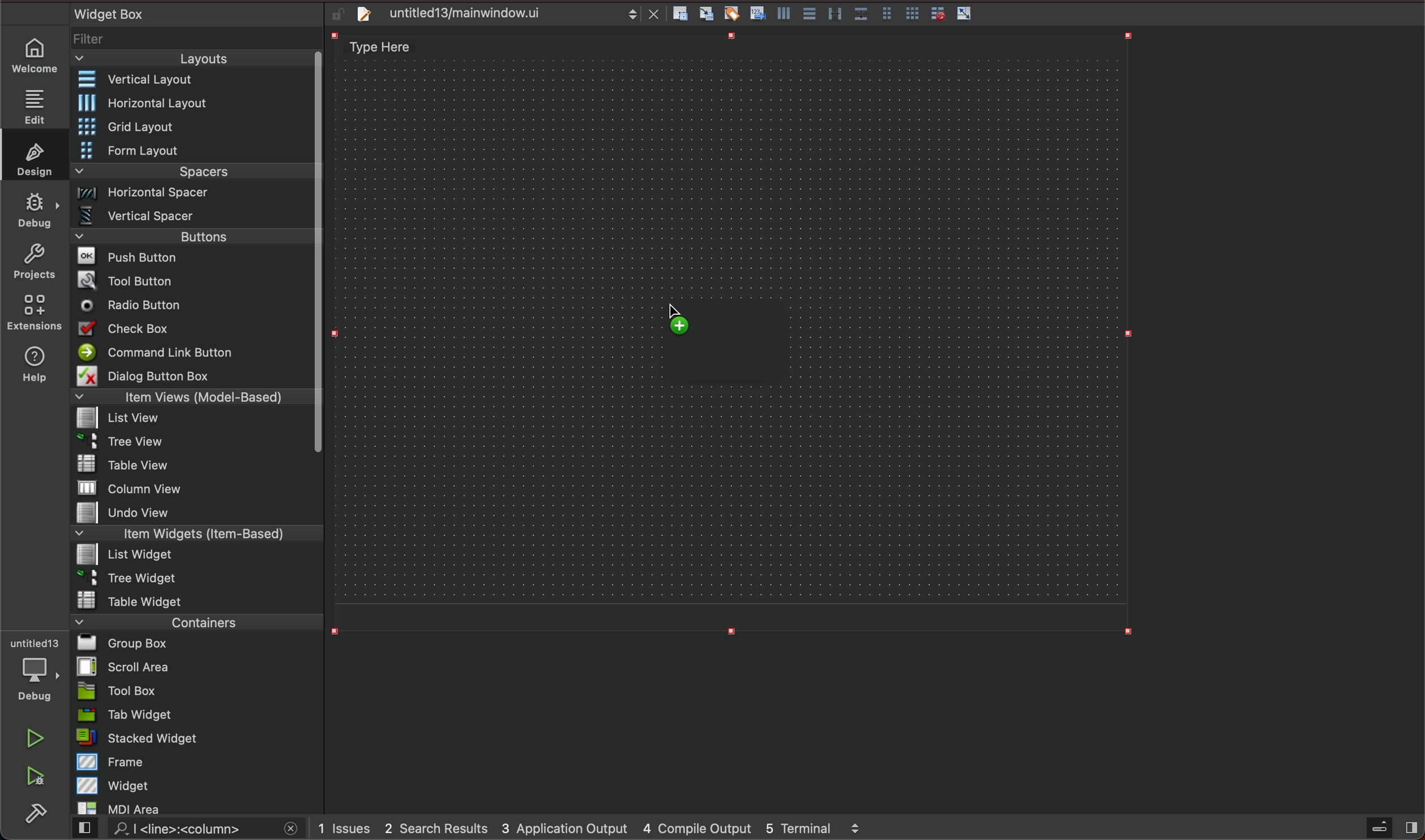  Describe the element at coordinates (192, 513) in the screenshot. I see `undo view` at that location.